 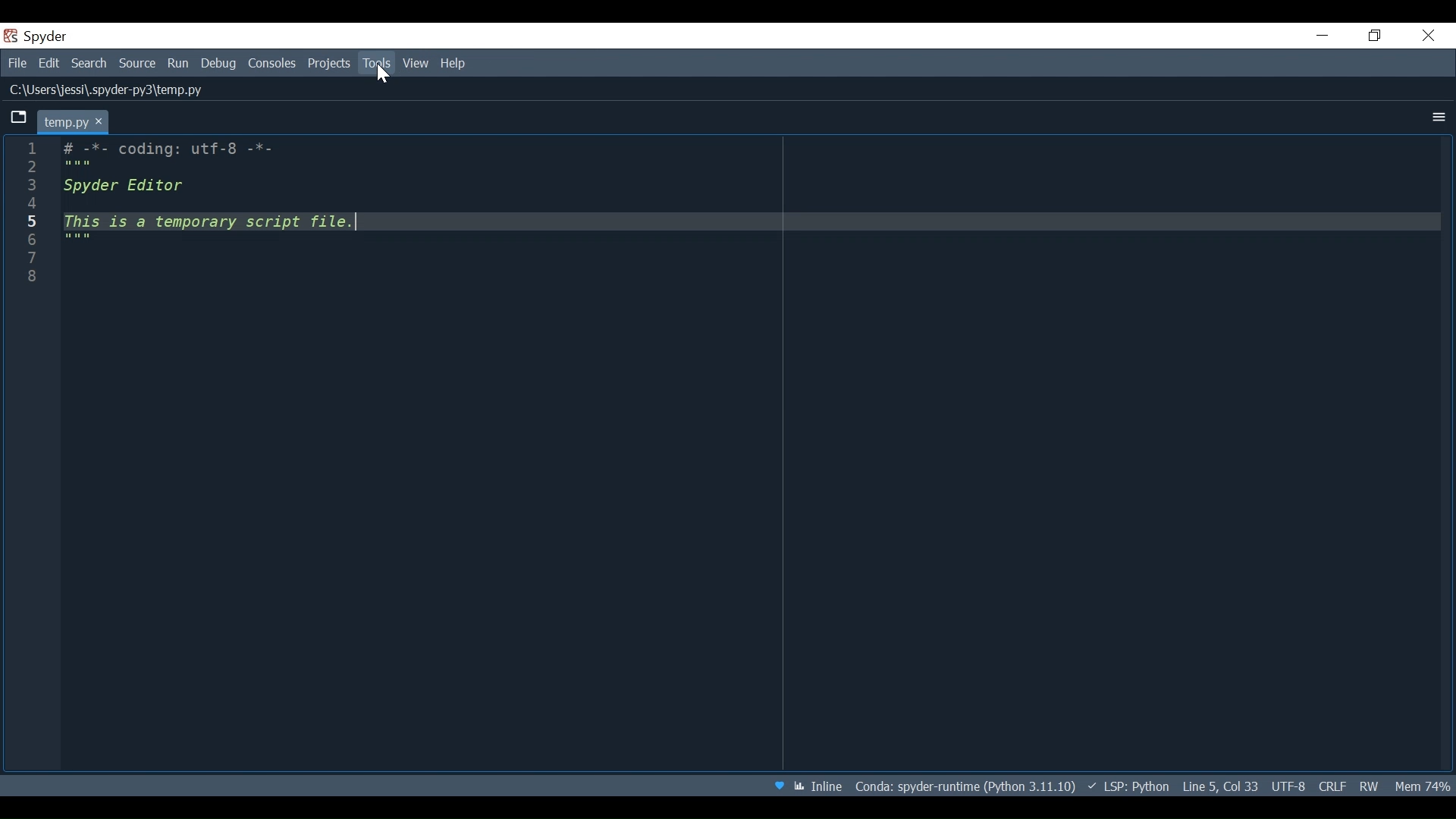 What do you see at coordinates (1332, 786) in the screenshot?
I see `FILE EQL Status` at bounding box center [1332, 786].